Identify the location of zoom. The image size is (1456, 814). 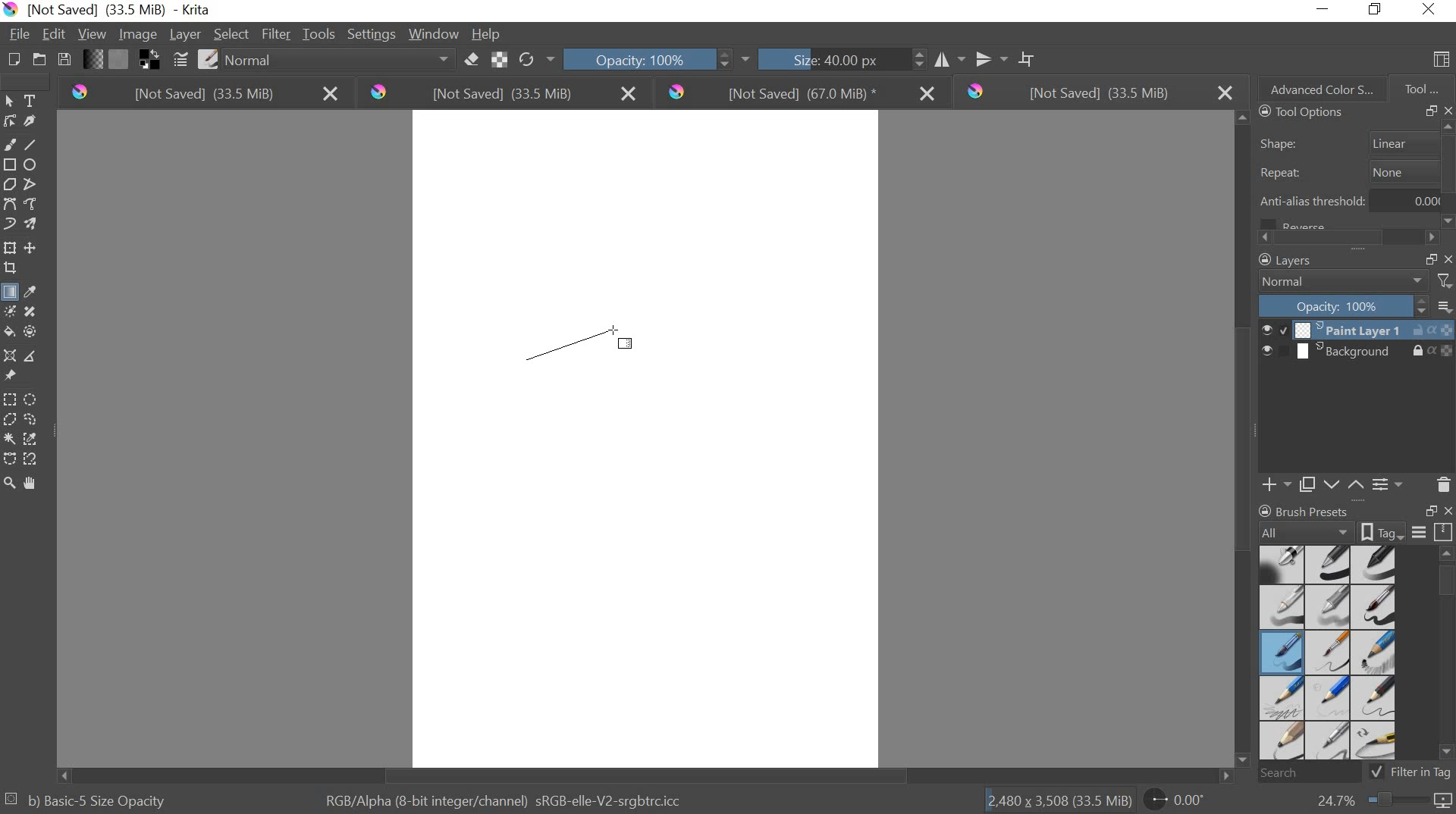
(9, 480).